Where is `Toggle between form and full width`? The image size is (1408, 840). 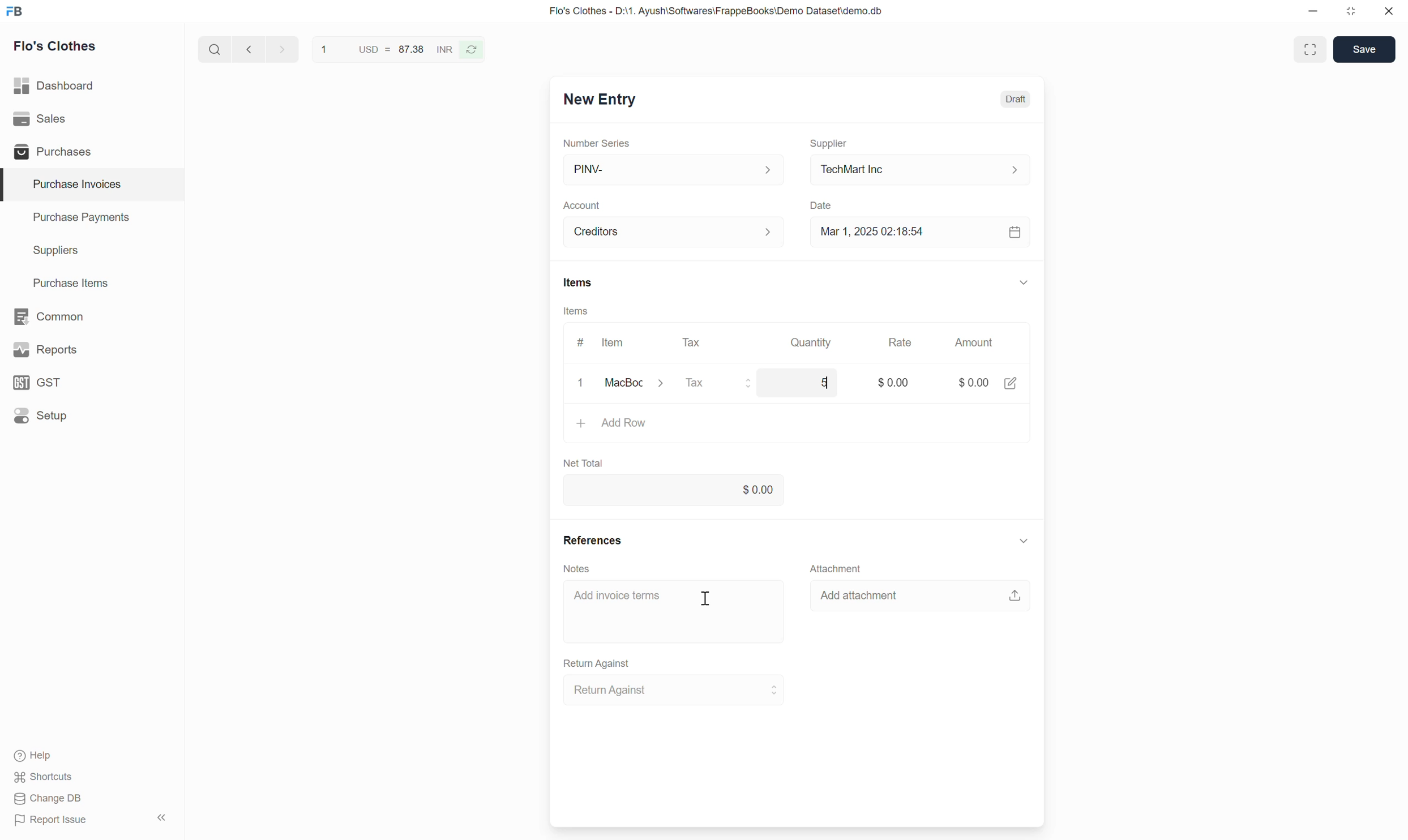 Toggle between form and full width is located at coordinates (1309, 49).